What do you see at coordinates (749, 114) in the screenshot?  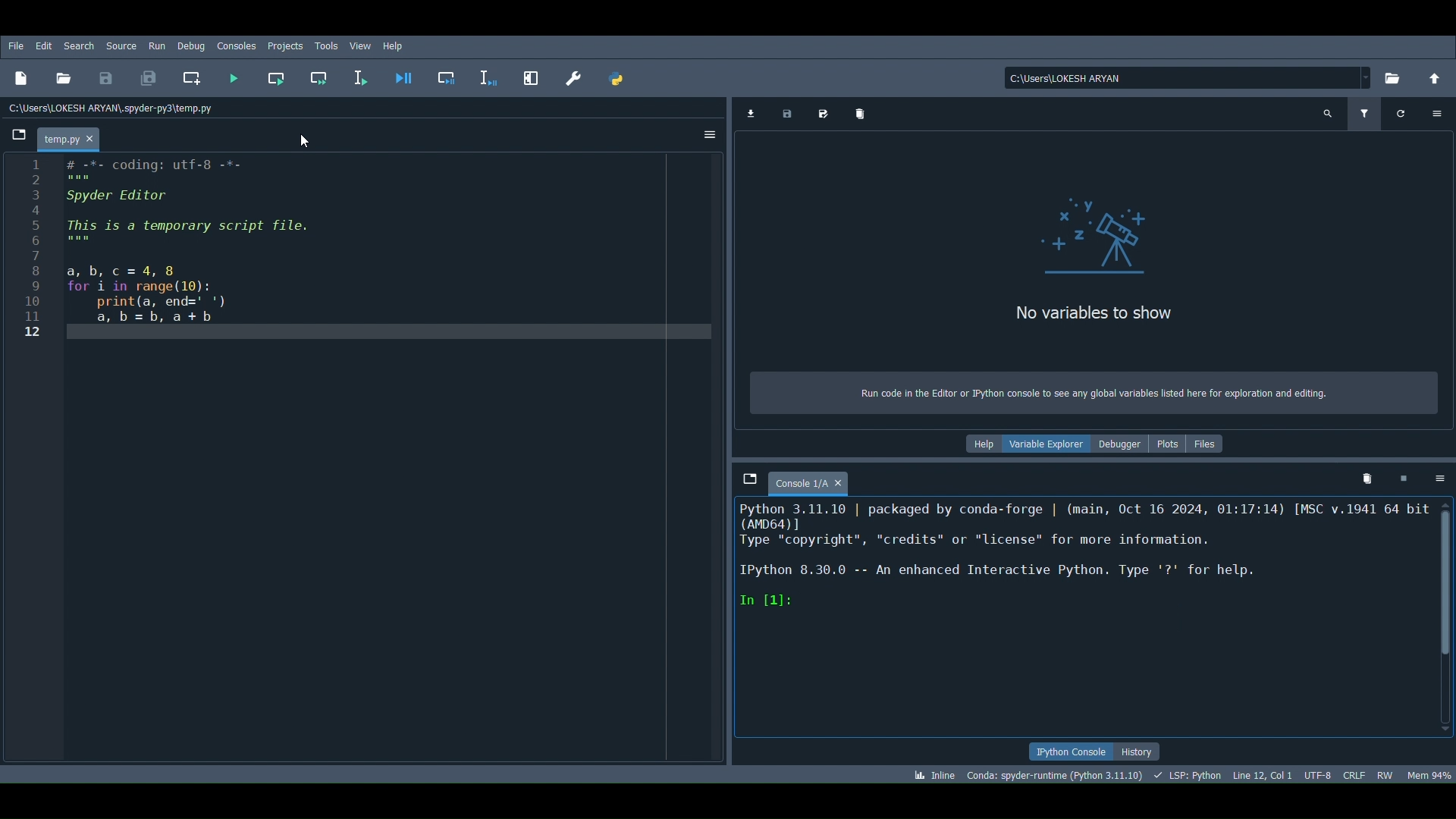 I see `Import data` at bounding box center [749, 114].